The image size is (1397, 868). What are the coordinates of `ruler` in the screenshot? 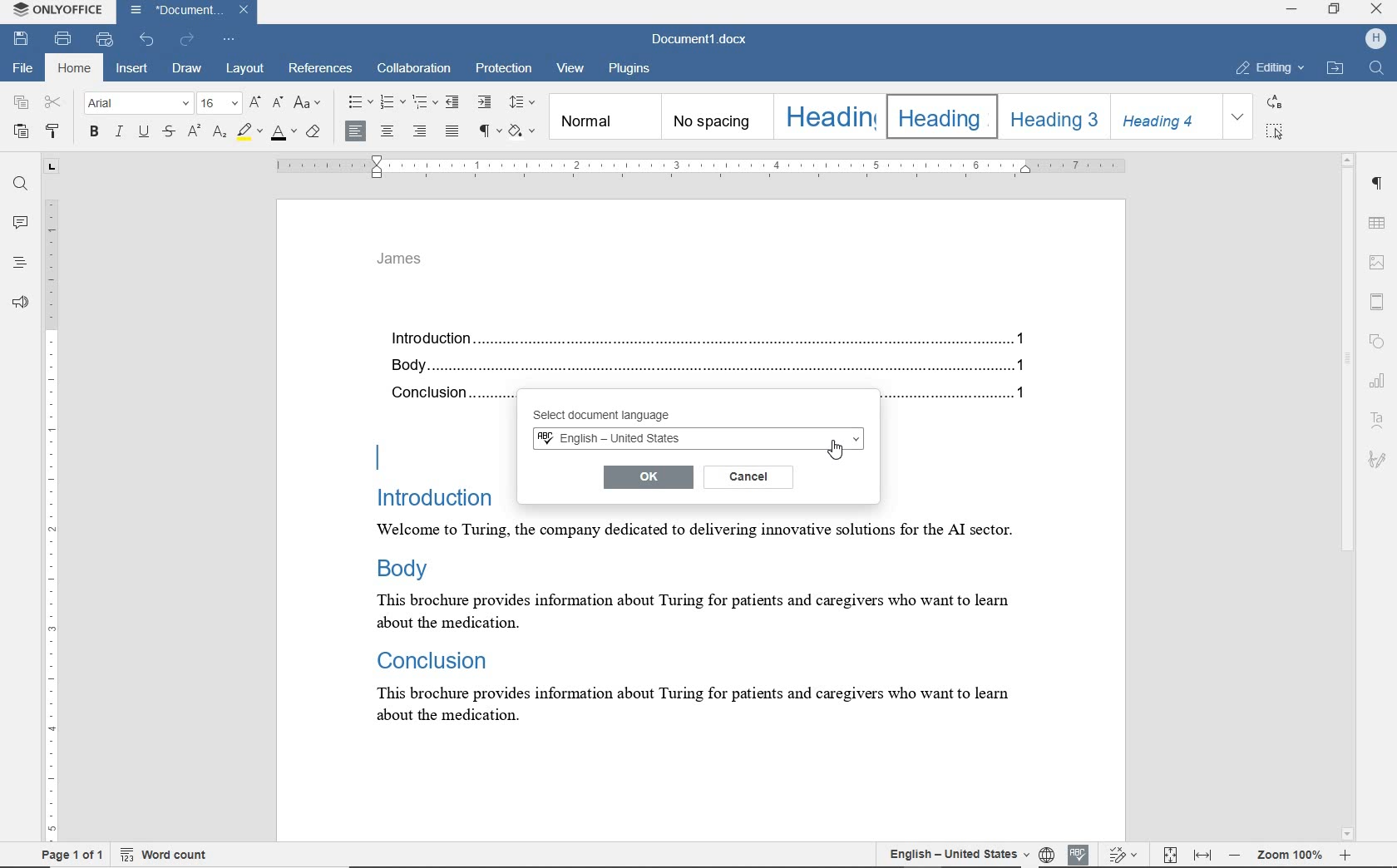 It's located at (699, 166).